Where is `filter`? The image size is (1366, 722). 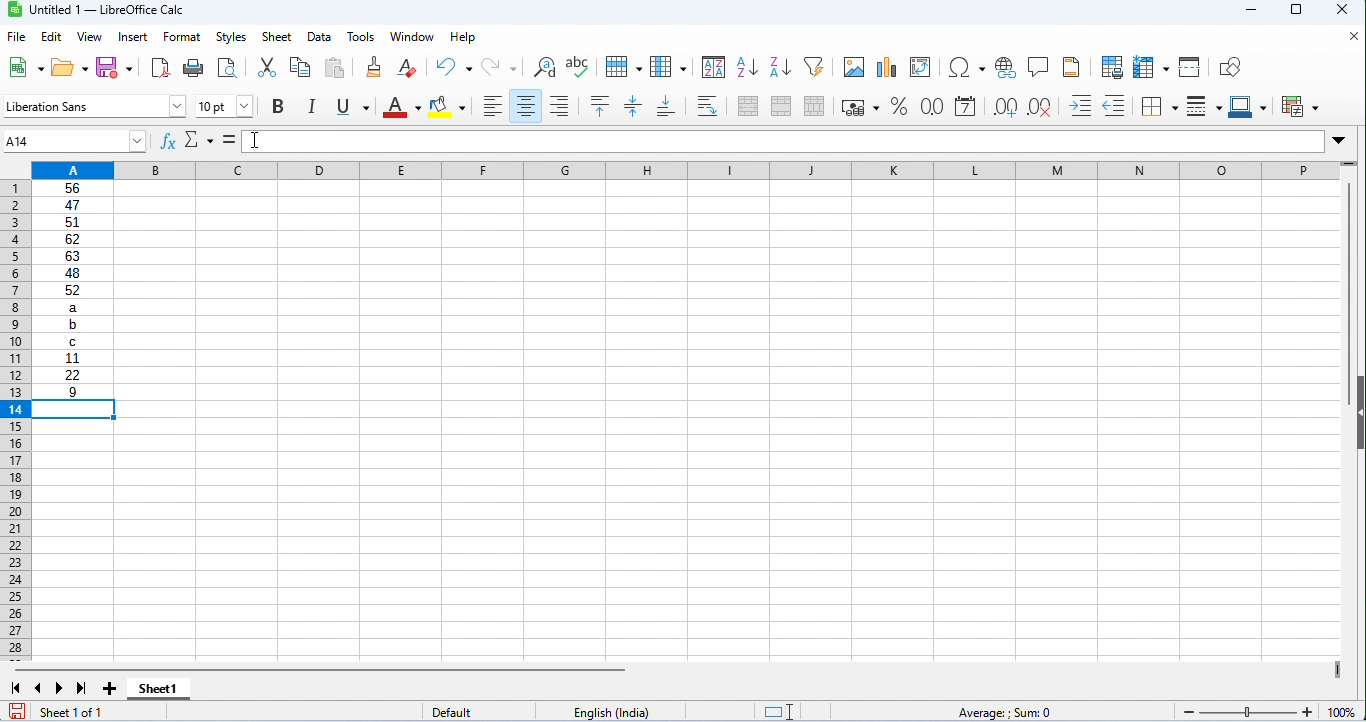
filter is located at coordinates (814, 66).